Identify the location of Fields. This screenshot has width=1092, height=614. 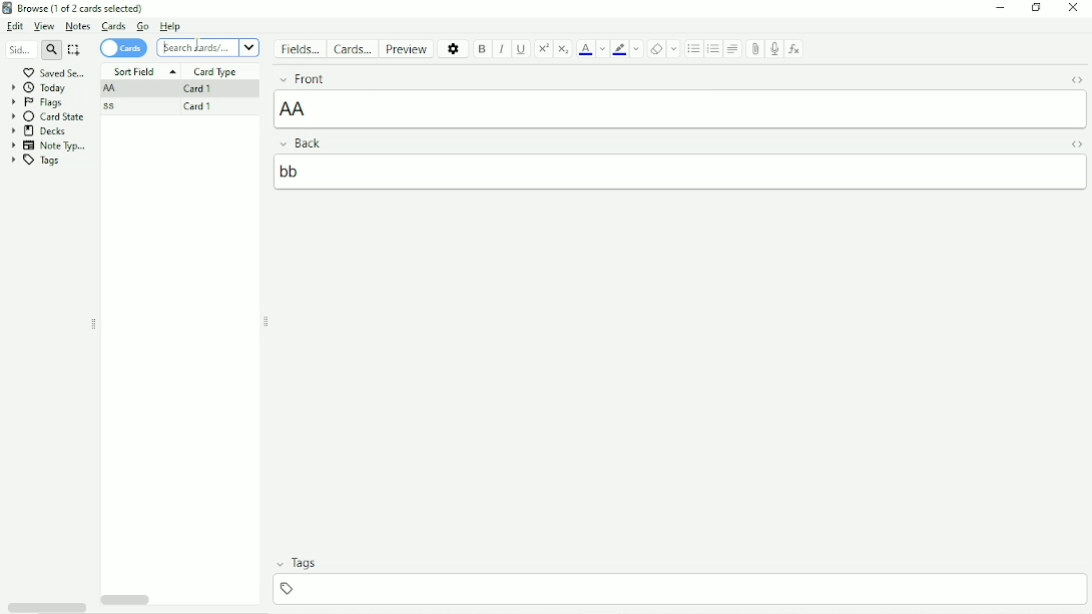
(302, 49).